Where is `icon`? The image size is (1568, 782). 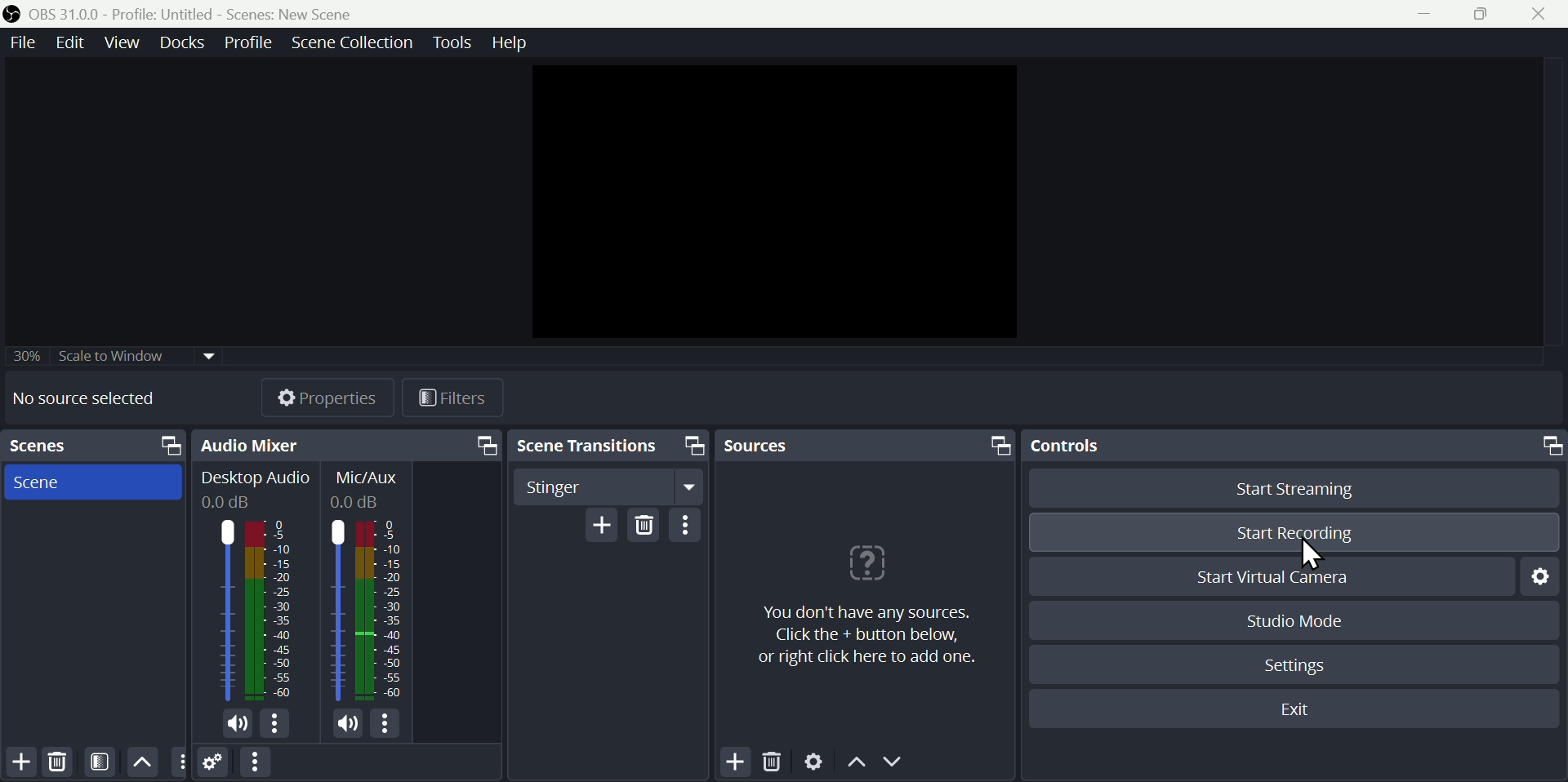 icon is located at coordinates (15, 14).